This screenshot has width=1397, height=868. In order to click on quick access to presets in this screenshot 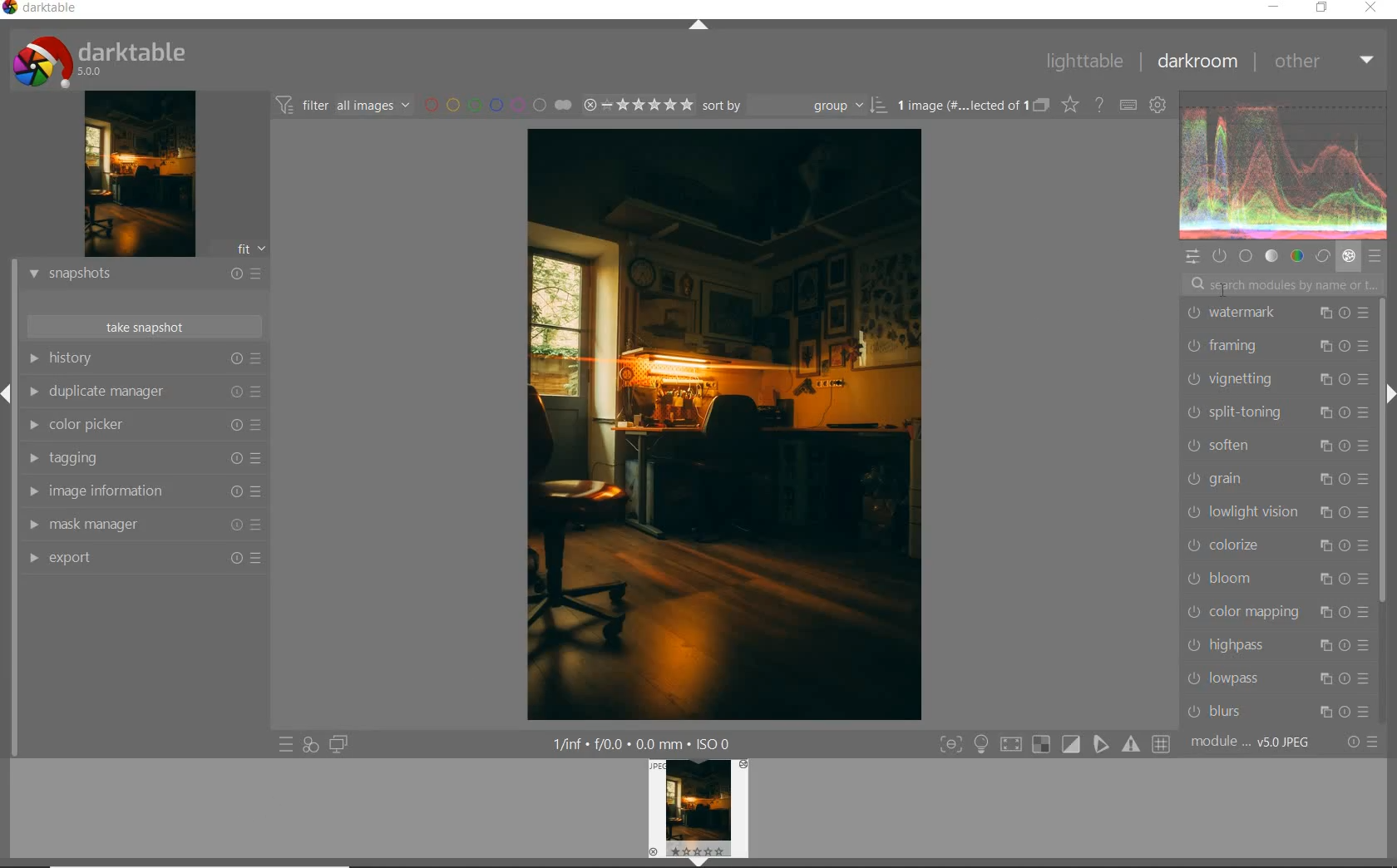, I will do `click(283, 744)`.